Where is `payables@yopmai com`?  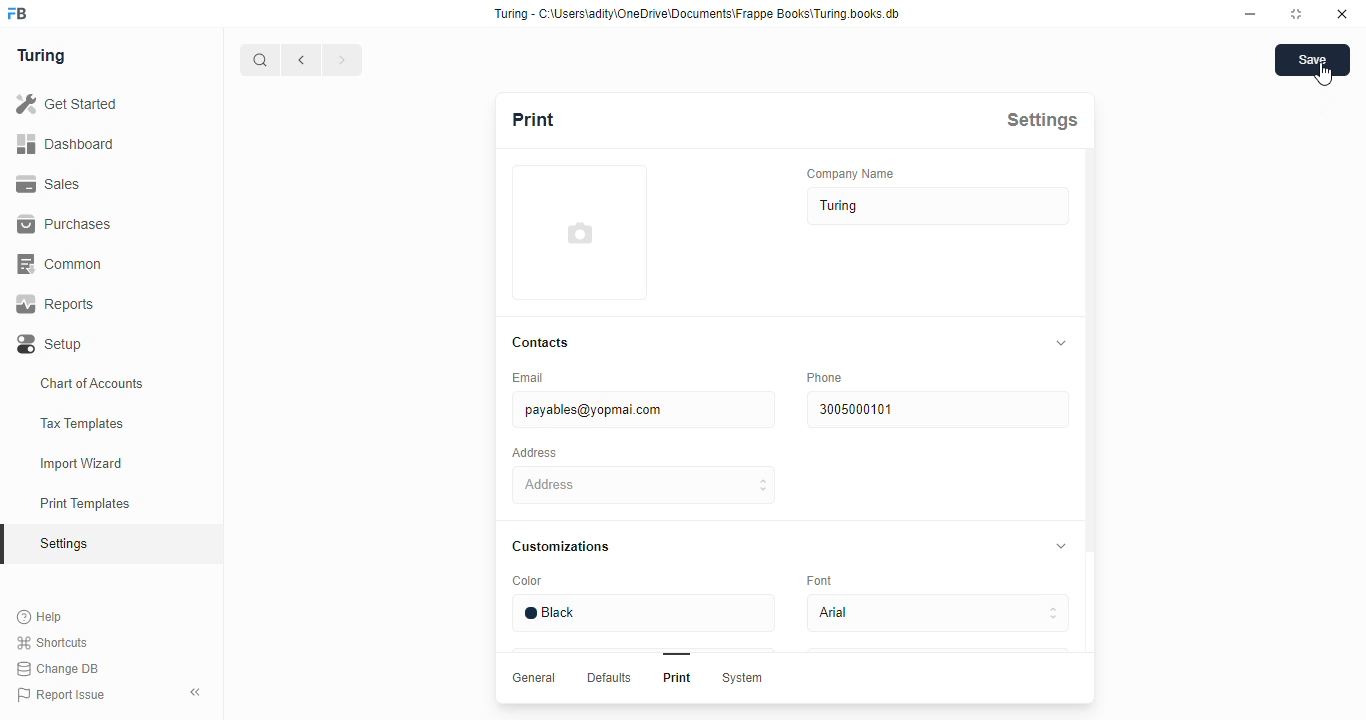 payables@yopmai com is located at coordinates (636, 411).